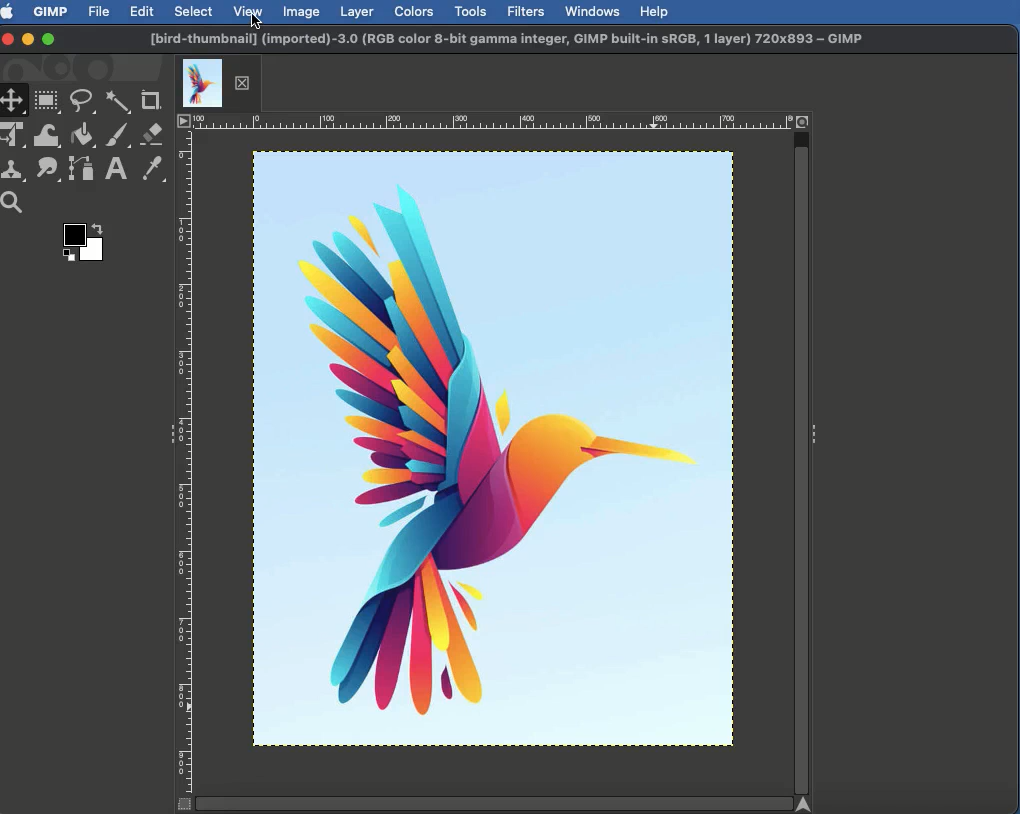 The height and width of the screenshot is (814, 1020). Describe the element at coordinates (48, 135) in the screenshot. I see `Warp transformation` at that location.